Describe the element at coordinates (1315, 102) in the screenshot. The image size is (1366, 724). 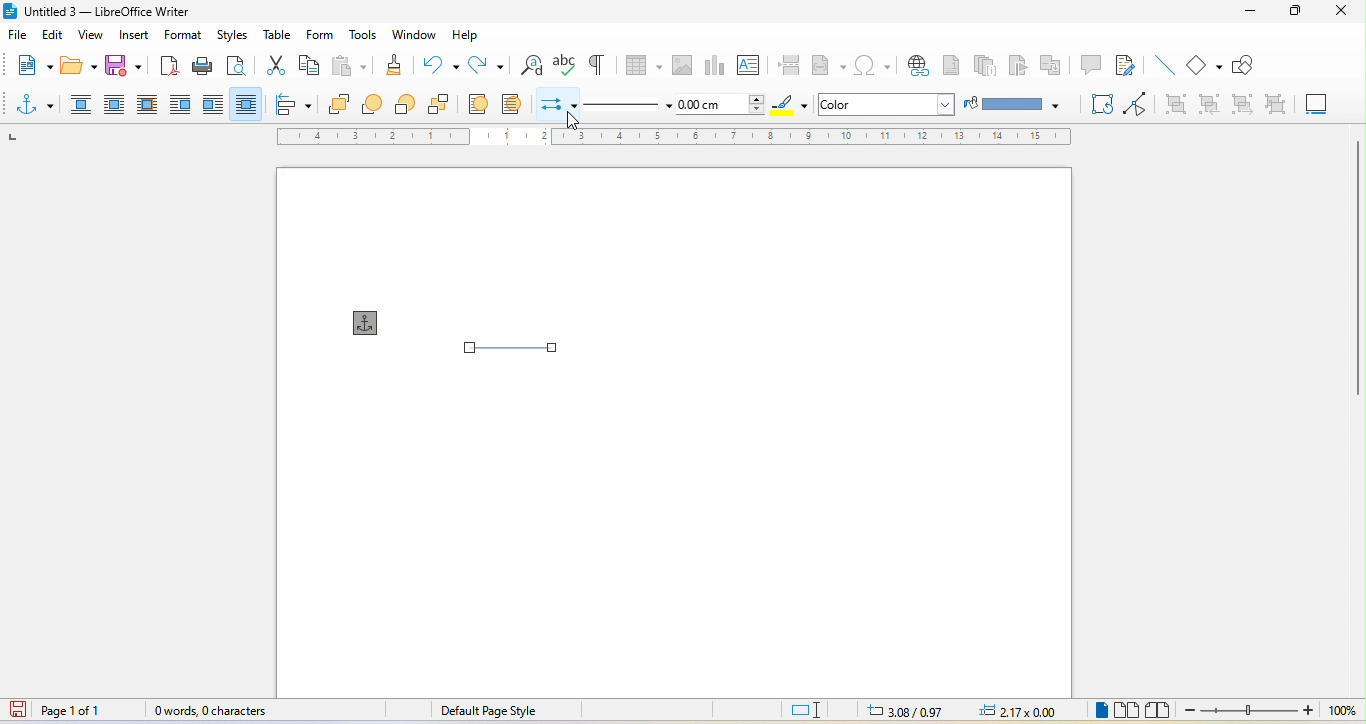
I see `insert caption` at that location.